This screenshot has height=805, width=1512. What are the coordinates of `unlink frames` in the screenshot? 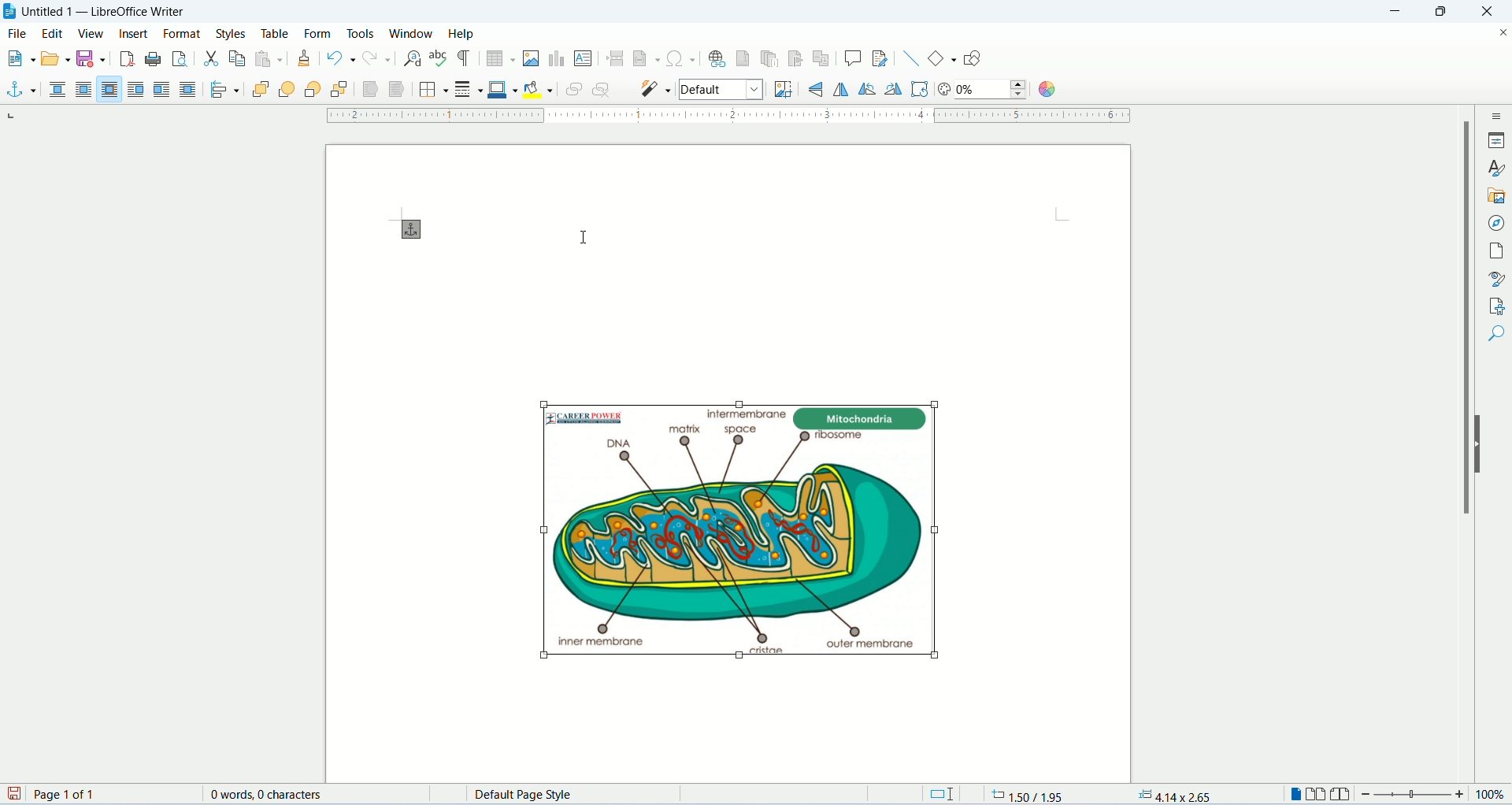 It's located at (602, 90).